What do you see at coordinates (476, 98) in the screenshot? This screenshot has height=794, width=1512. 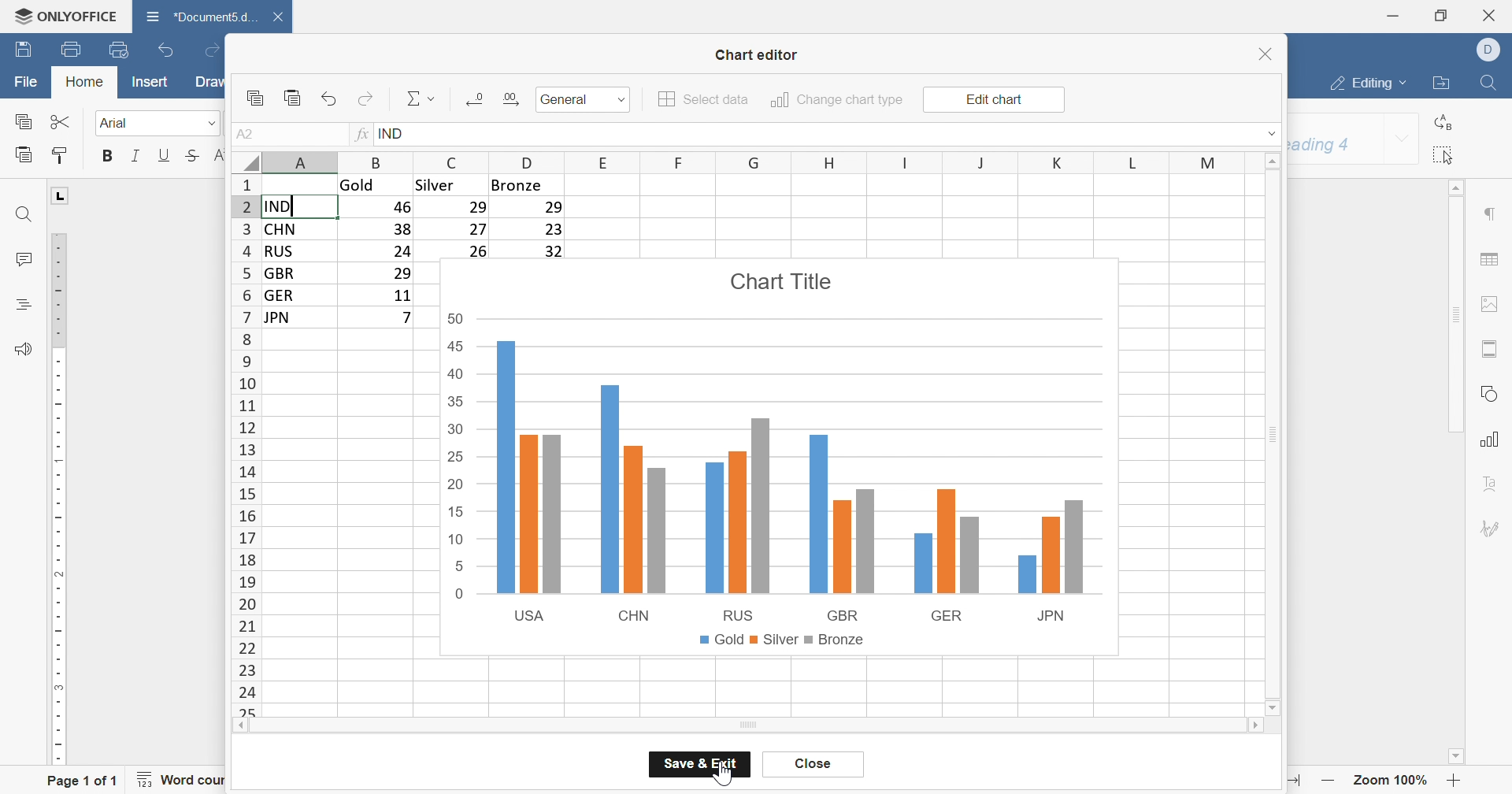 I see `decrease decimal places` at bounding box center [476, 98].